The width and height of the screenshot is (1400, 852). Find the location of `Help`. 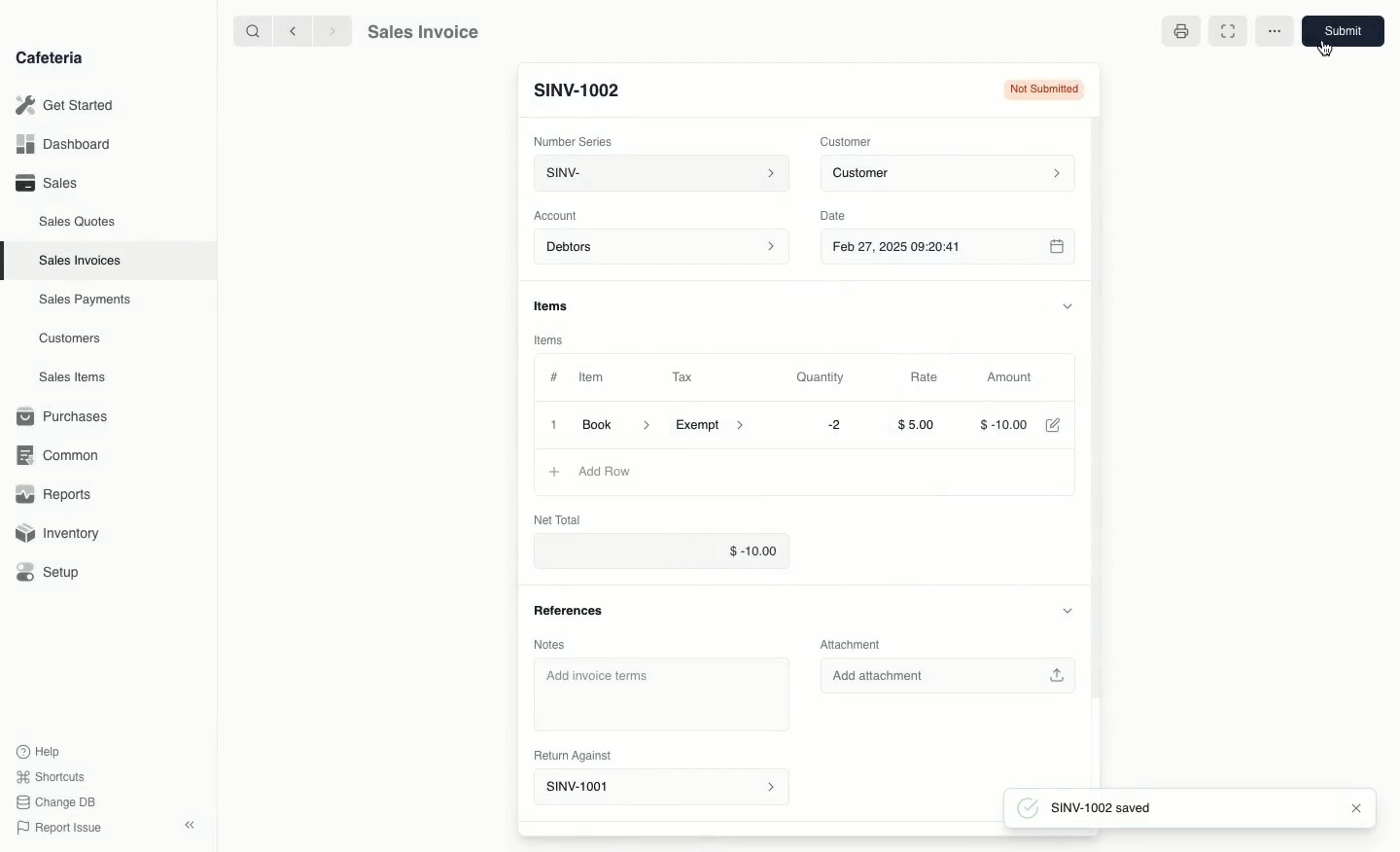

Help is located at coordinates (40, 749).